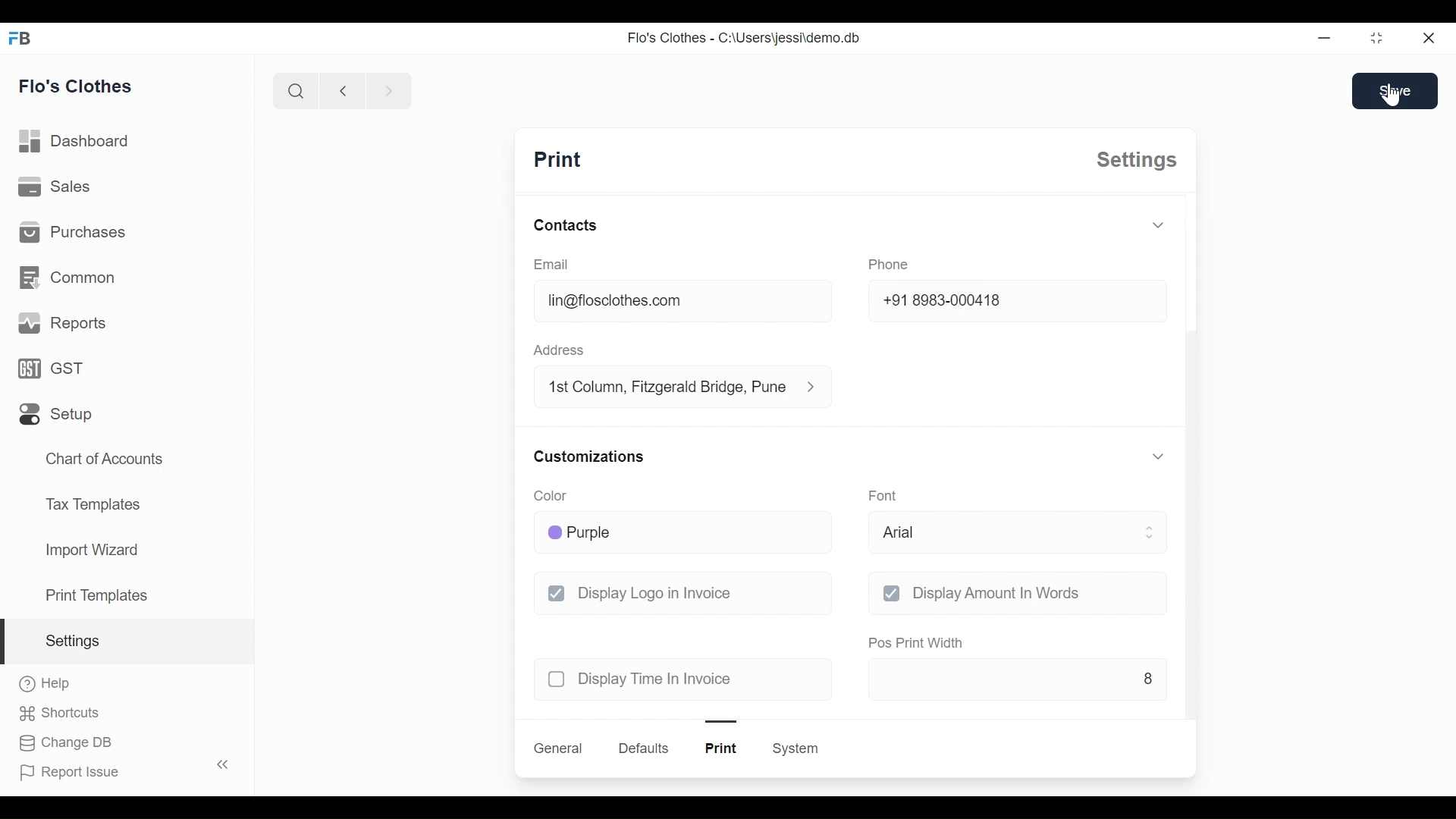 This screenshot has width=1456, height=819. I want to click on print, so click(722, 748).